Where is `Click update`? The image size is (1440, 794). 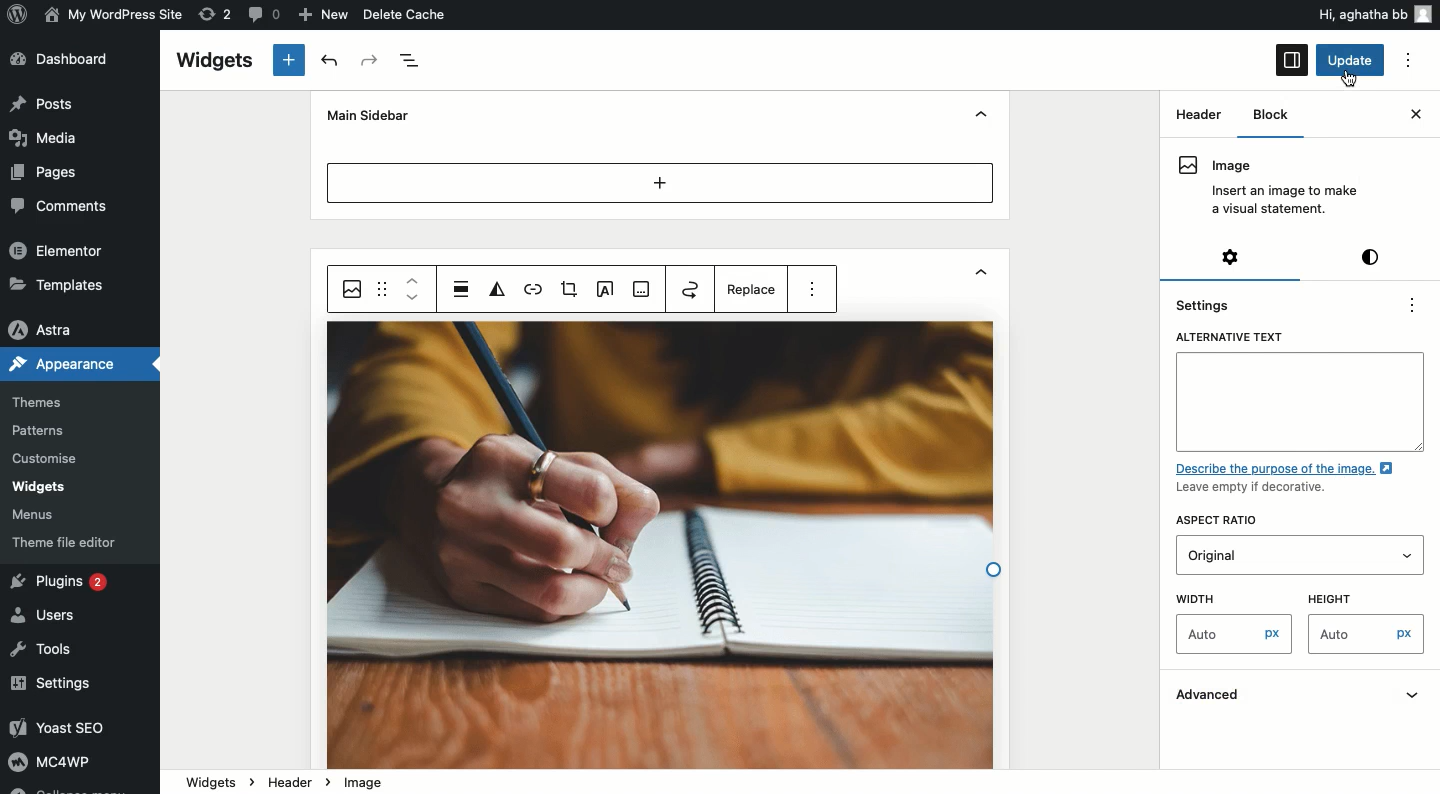 Click update is located at coordinates (1352, 61).